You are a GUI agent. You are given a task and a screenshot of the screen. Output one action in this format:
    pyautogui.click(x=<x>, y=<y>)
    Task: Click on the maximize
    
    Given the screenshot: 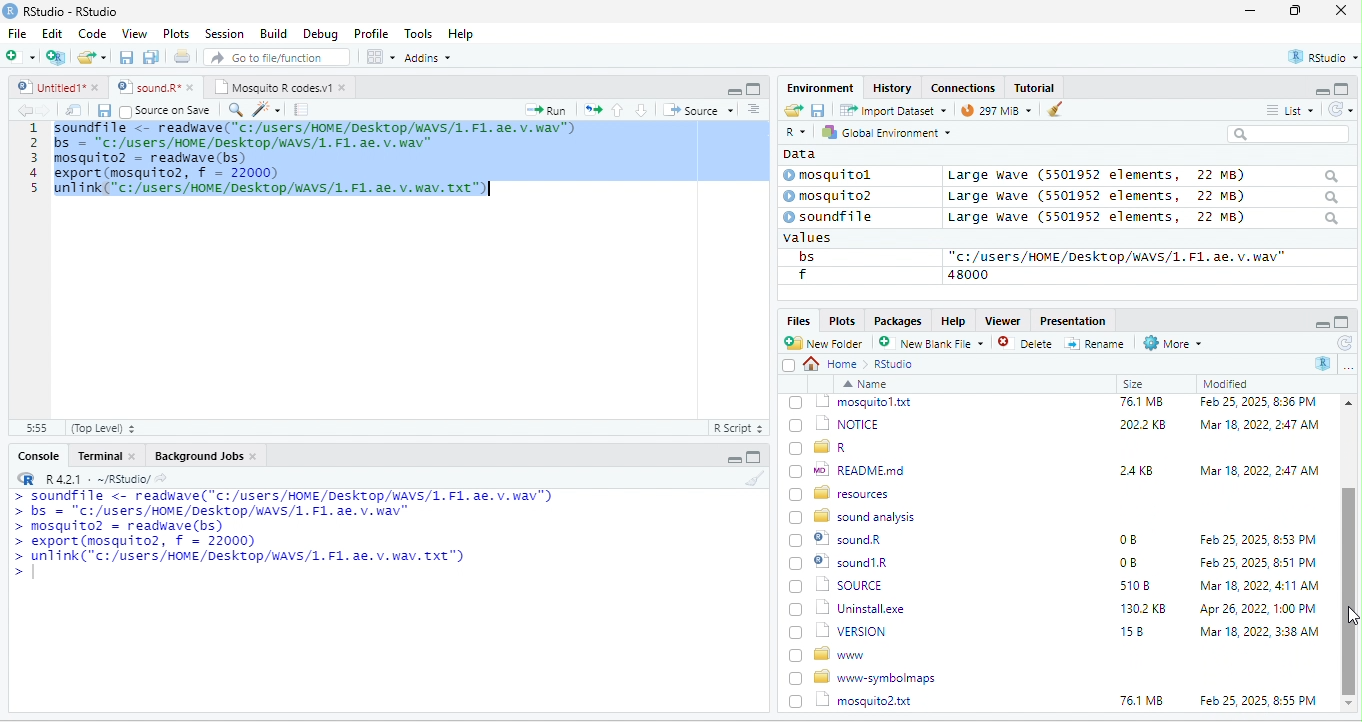 What is the action you would take?
    pyautogui.click(x=1299, y=12)
    